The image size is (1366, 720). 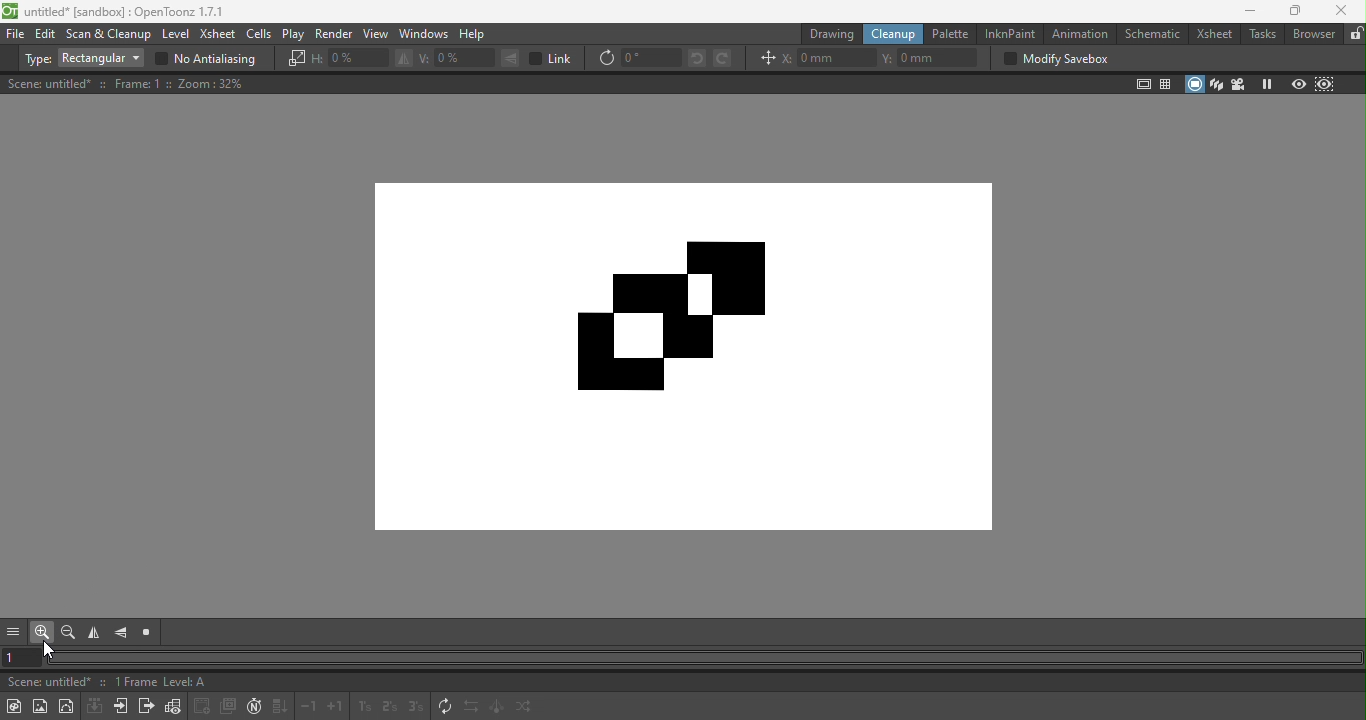 I want to click on Duplicate drawing, so click(x=230, y=707).